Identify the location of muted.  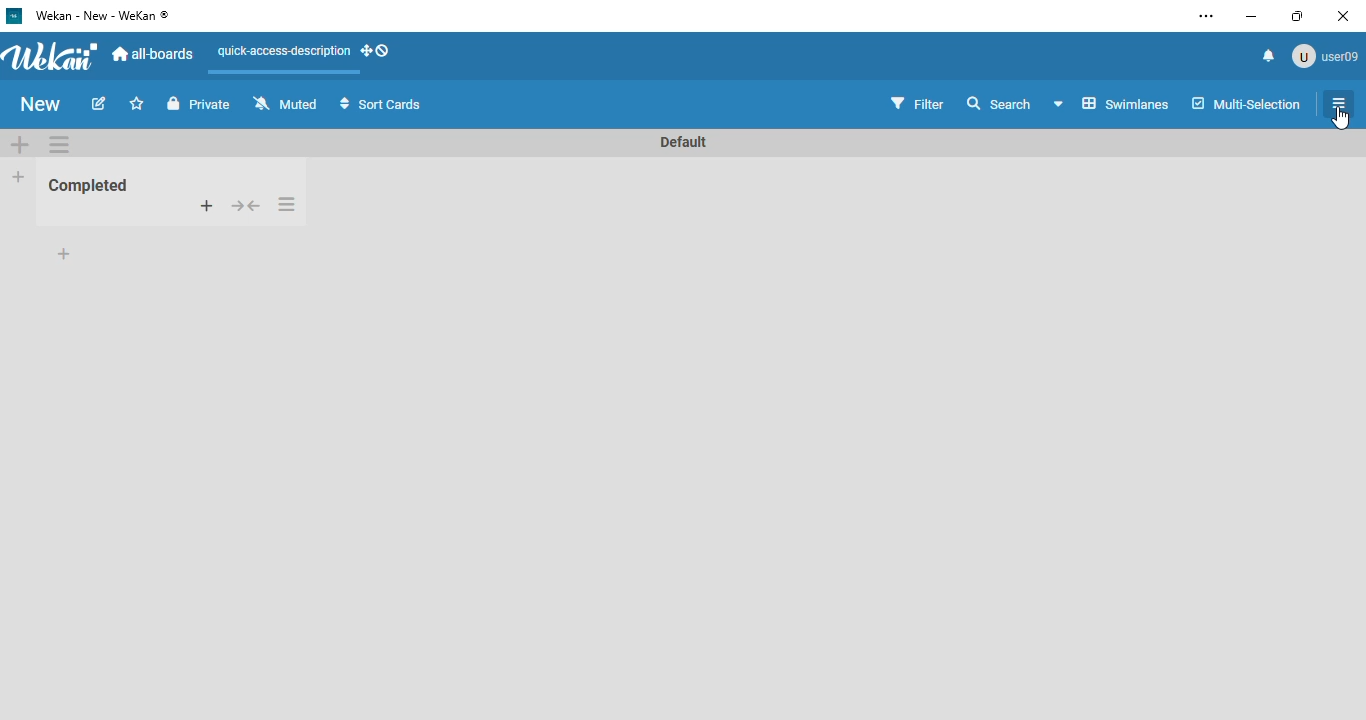
(285, 103).